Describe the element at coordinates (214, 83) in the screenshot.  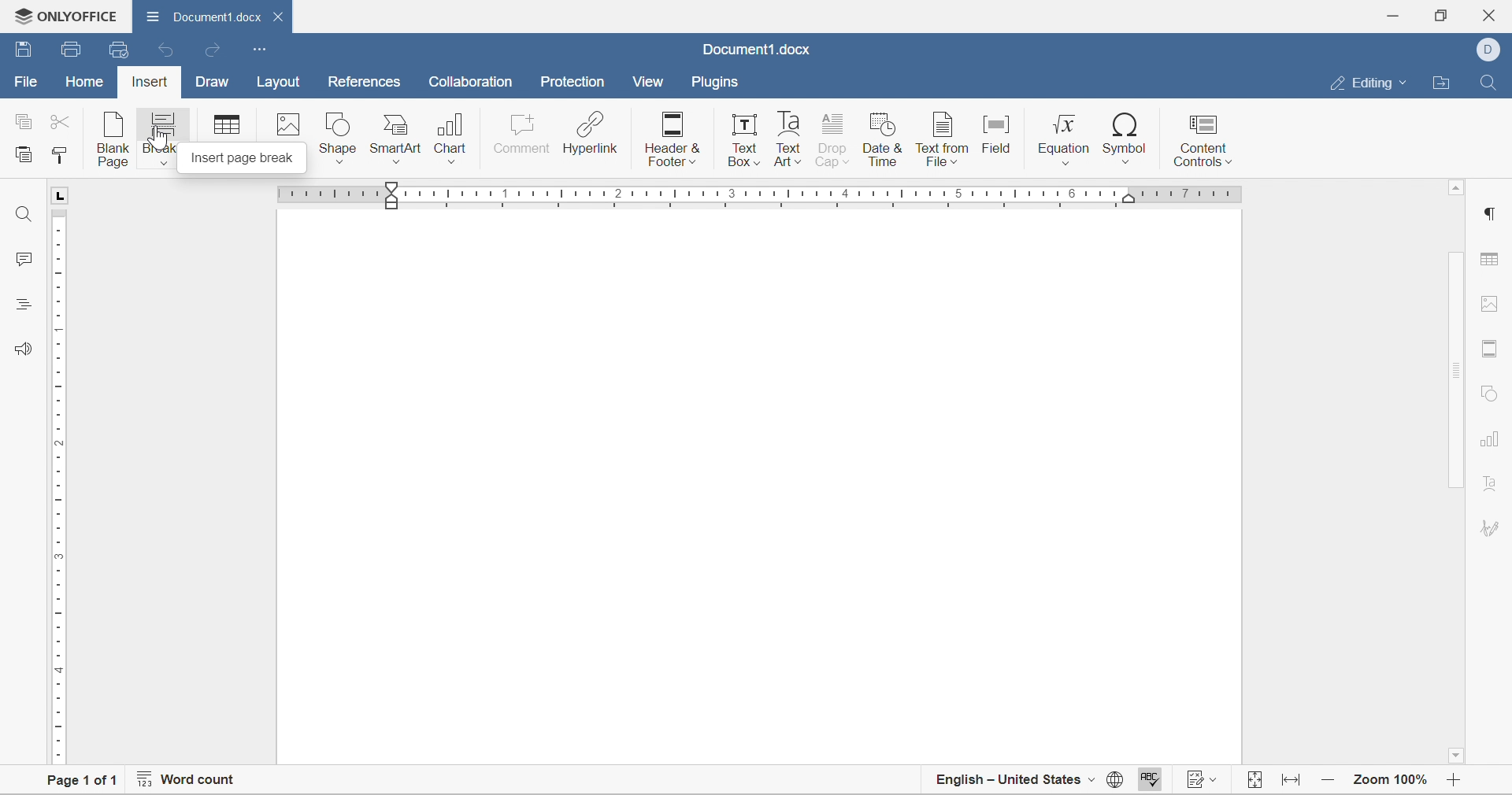
I see `Draw` at that location.